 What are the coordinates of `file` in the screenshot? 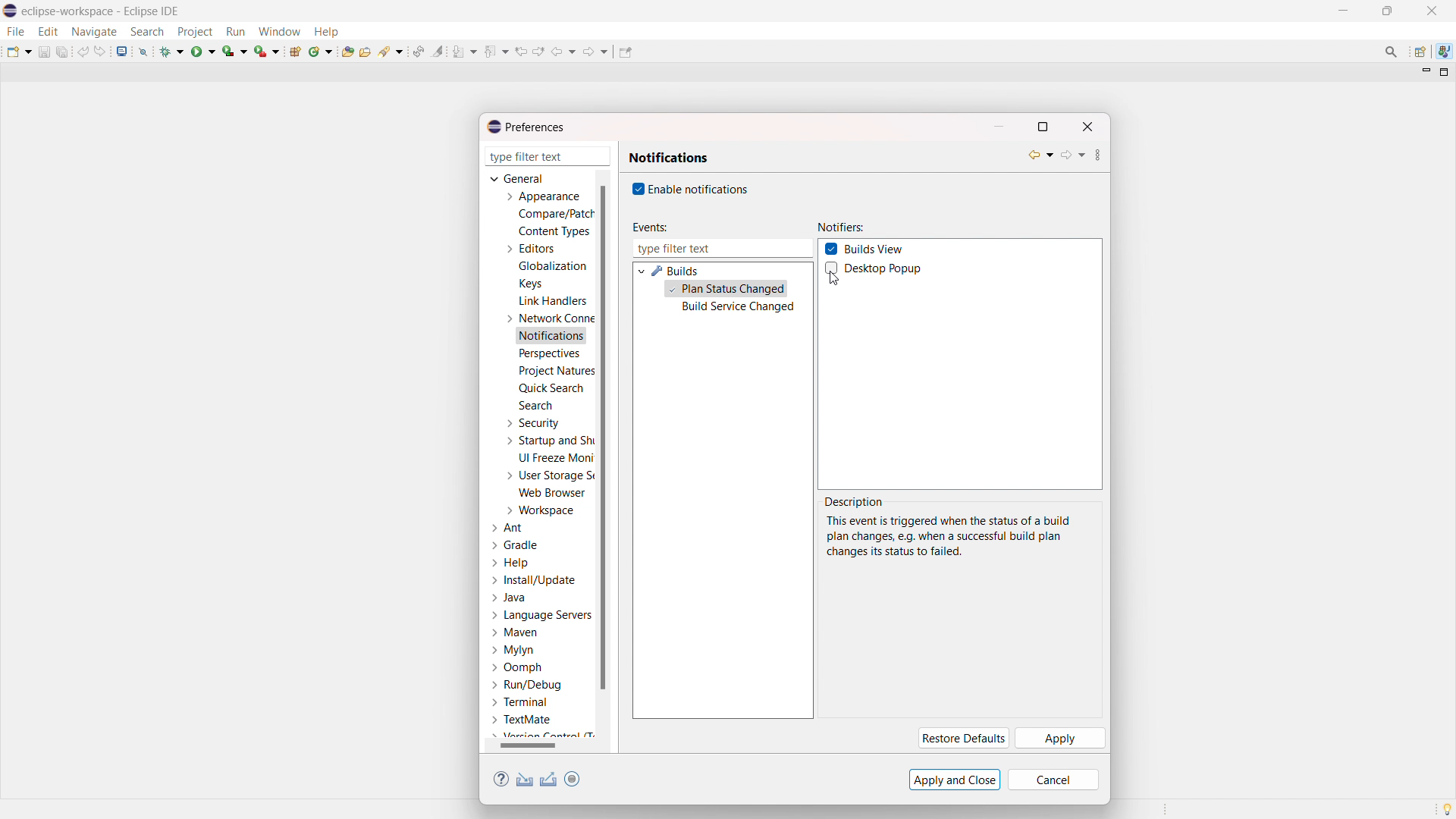 It's located at (14, 31).